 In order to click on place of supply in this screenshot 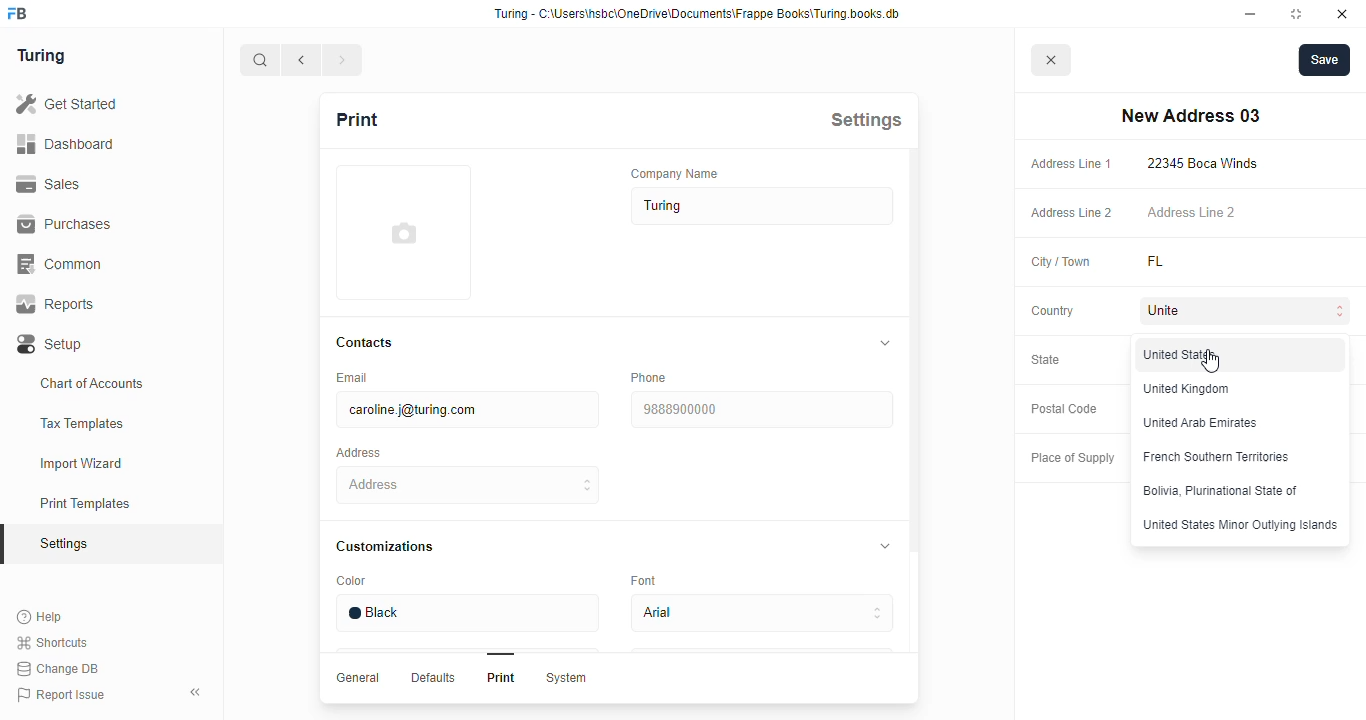, I will do `click(1072, 459)`.